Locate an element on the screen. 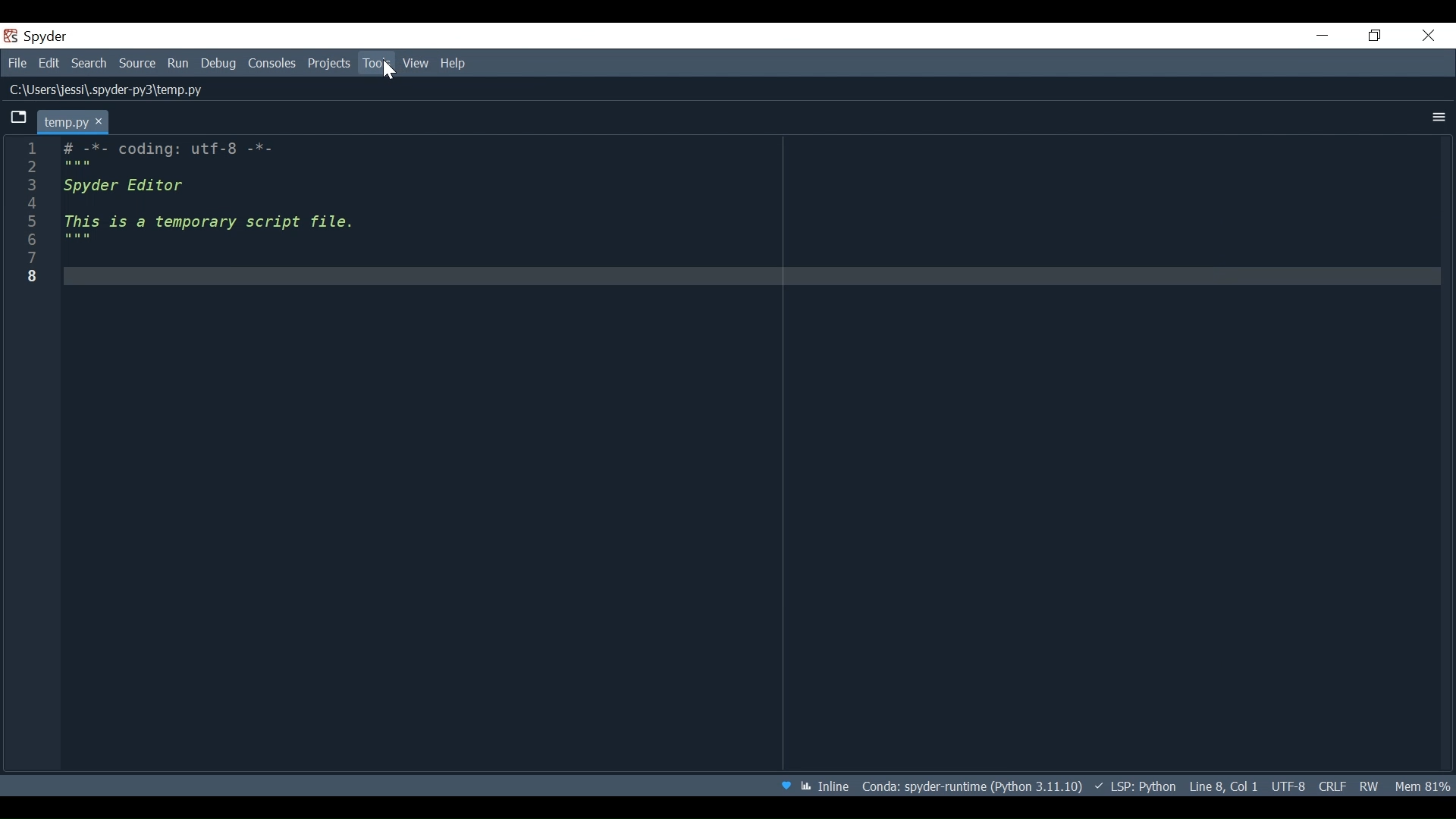  Close is located at coordinates (1429, 34).